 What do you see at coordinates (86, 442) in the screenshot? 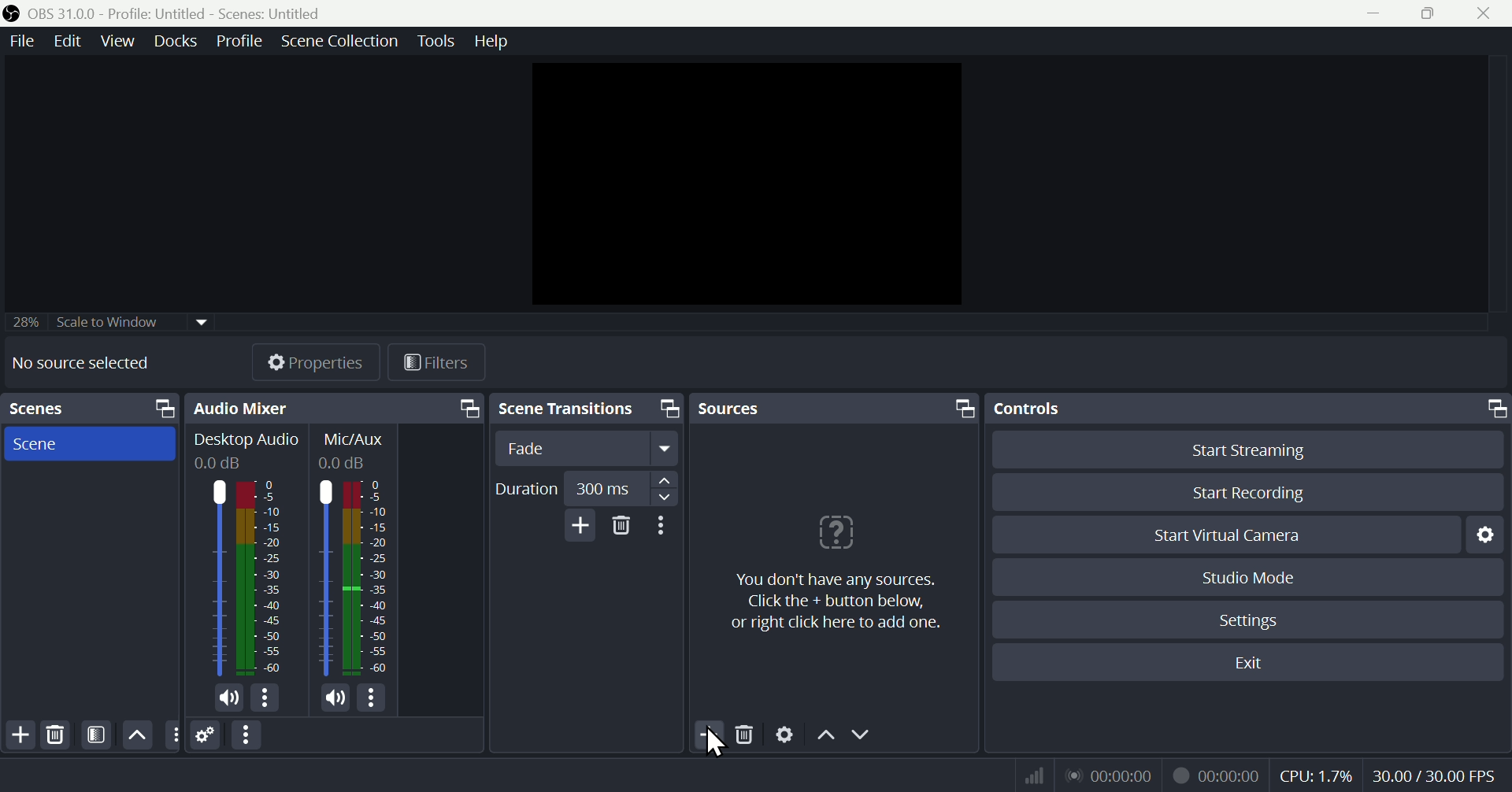
I see `Scene` at bounding box center [86, 442].